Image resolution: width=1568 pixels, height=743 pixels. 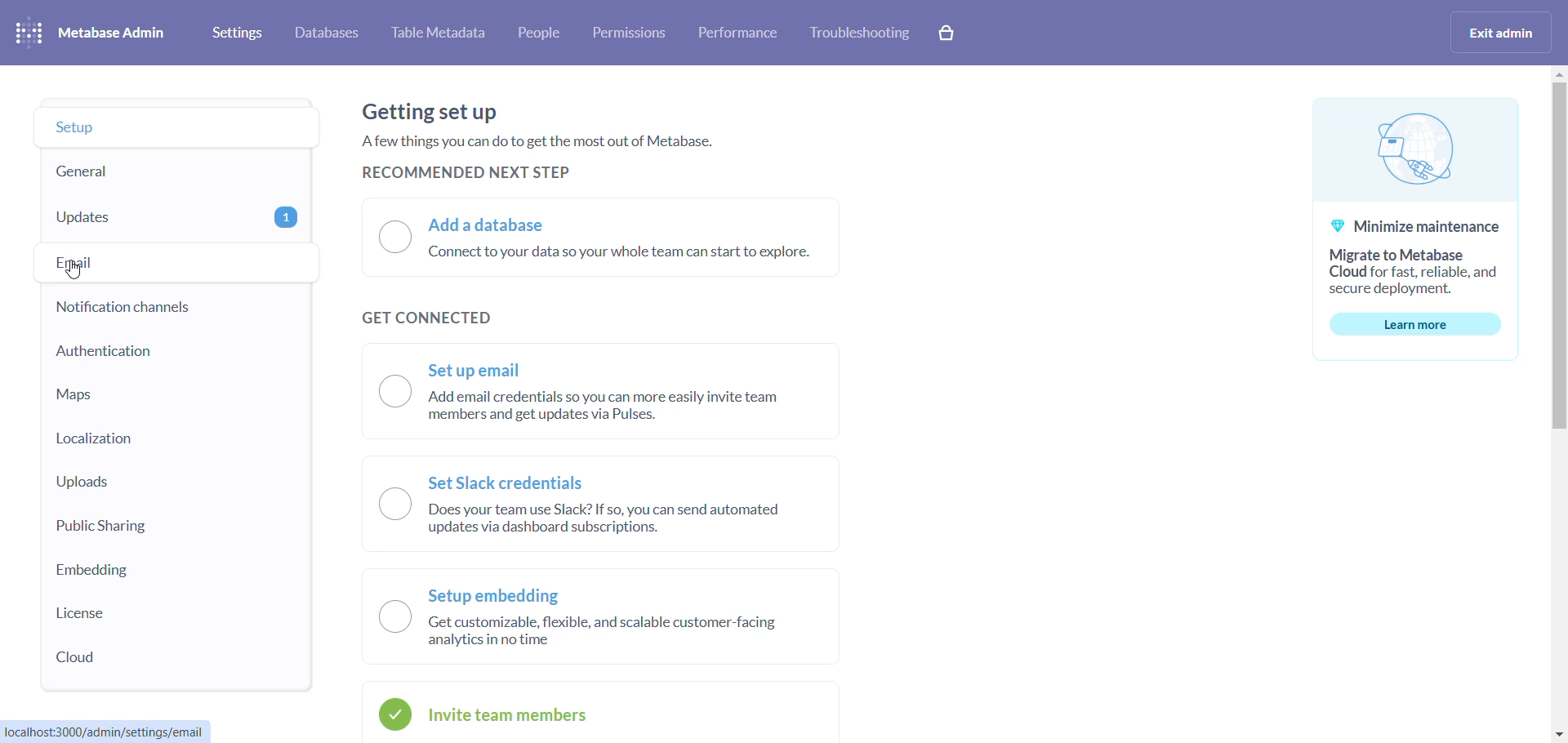 I want to click on exit admin, so click(x=1501, y=33).